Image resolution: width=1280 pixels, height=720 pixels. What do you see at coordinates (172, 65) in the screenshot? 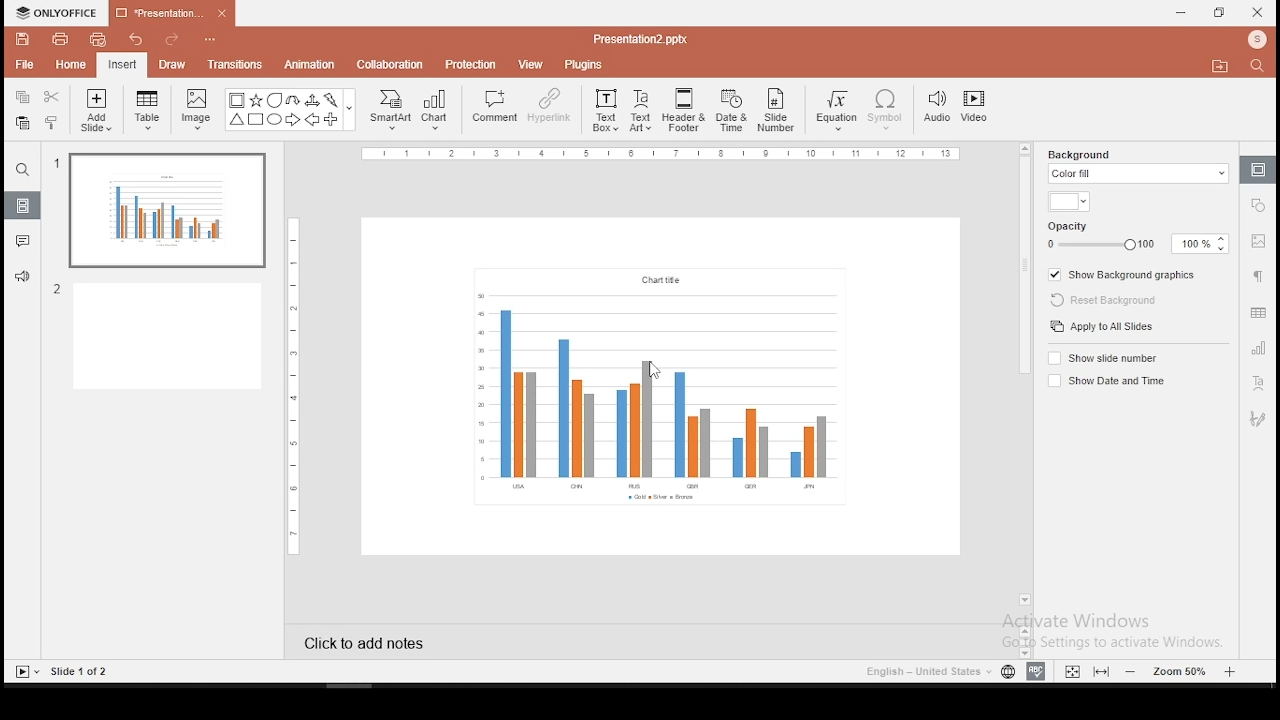
I see `draw` at bounding box center [172, 65].